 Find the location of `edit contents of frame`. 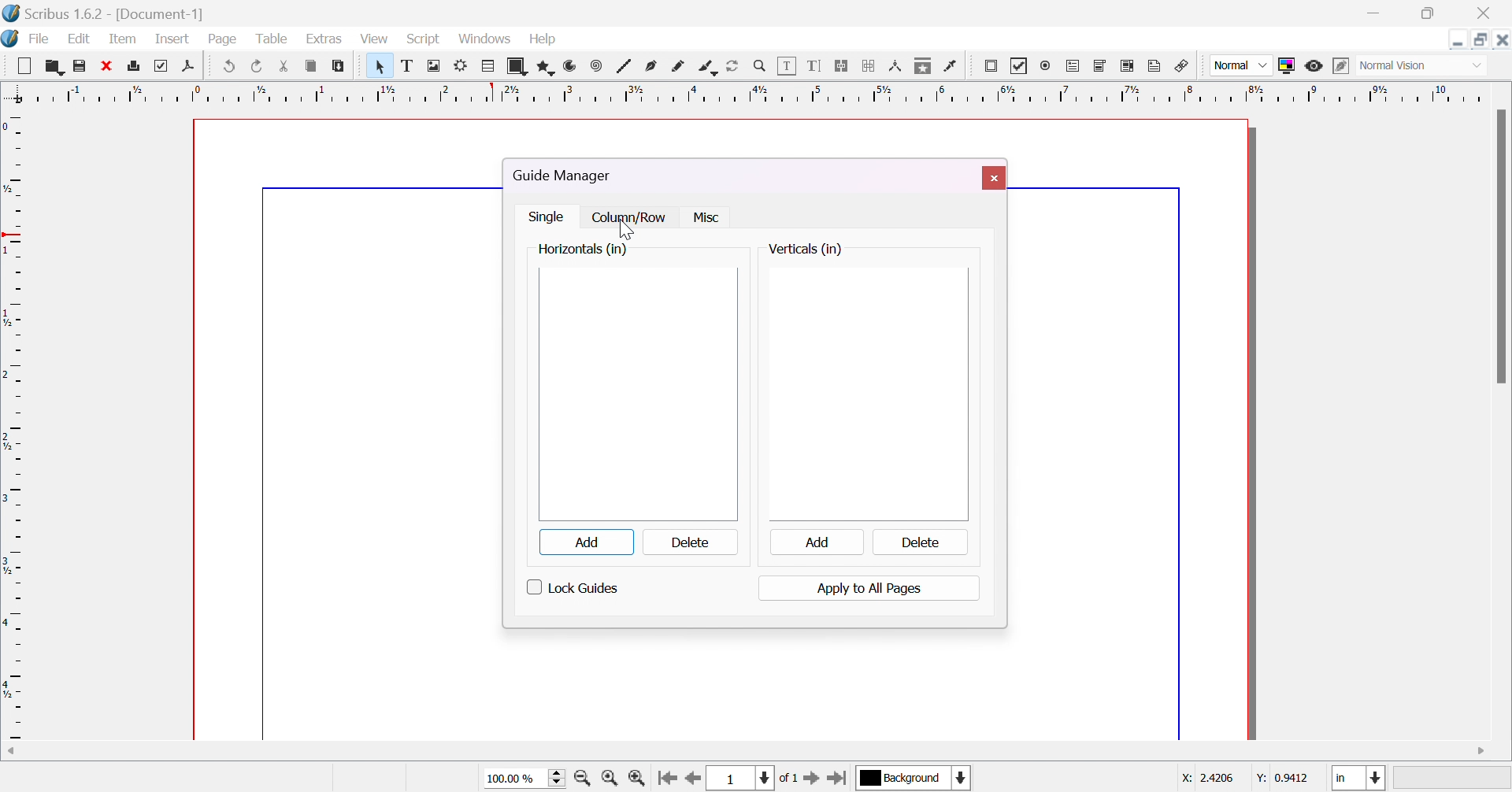

edit contents of frame is located at coordinates (790, 67).